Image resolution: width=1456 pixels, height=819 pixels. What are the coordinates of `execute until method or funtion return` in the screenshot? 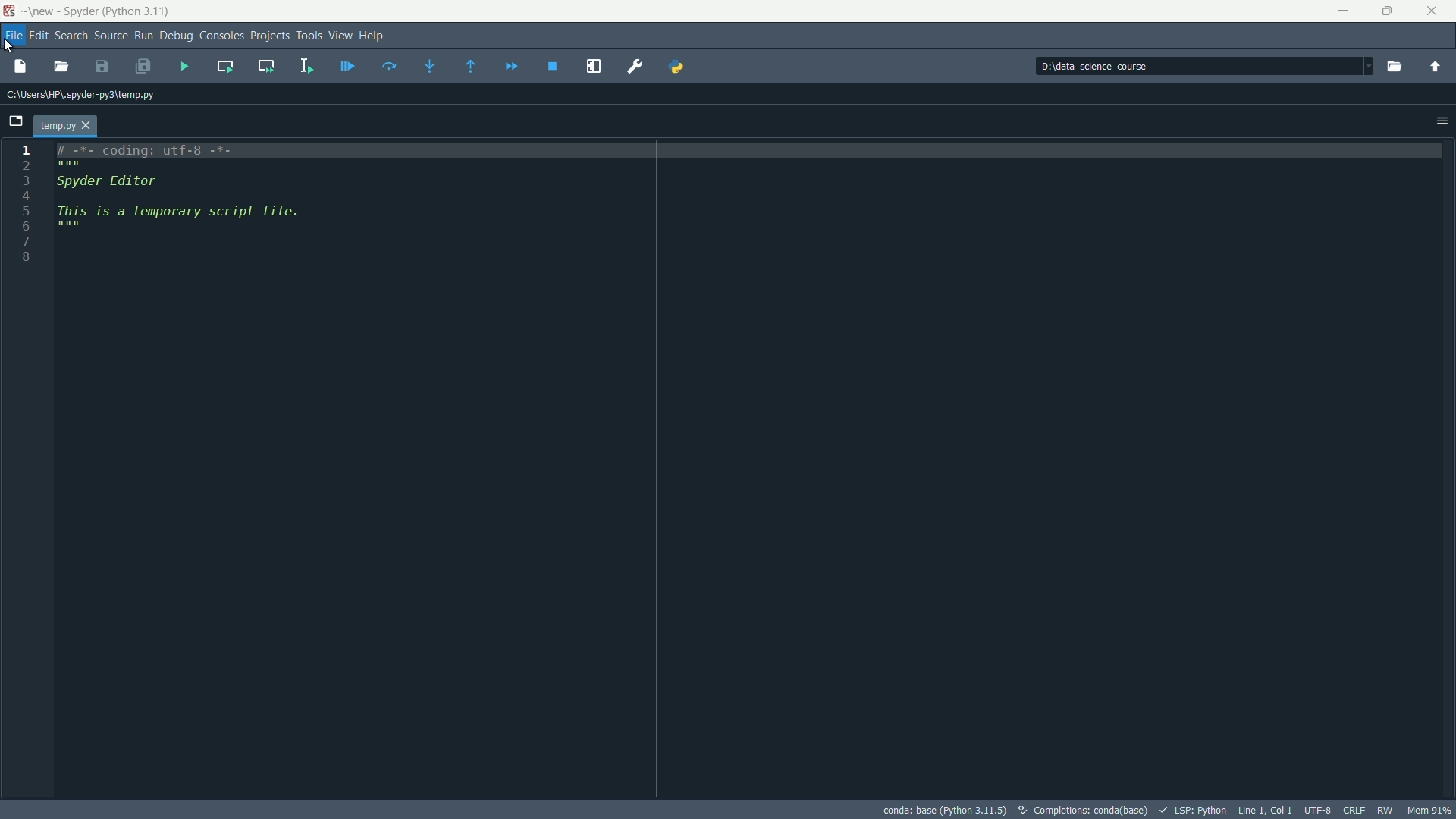 It's located at (471, 65).